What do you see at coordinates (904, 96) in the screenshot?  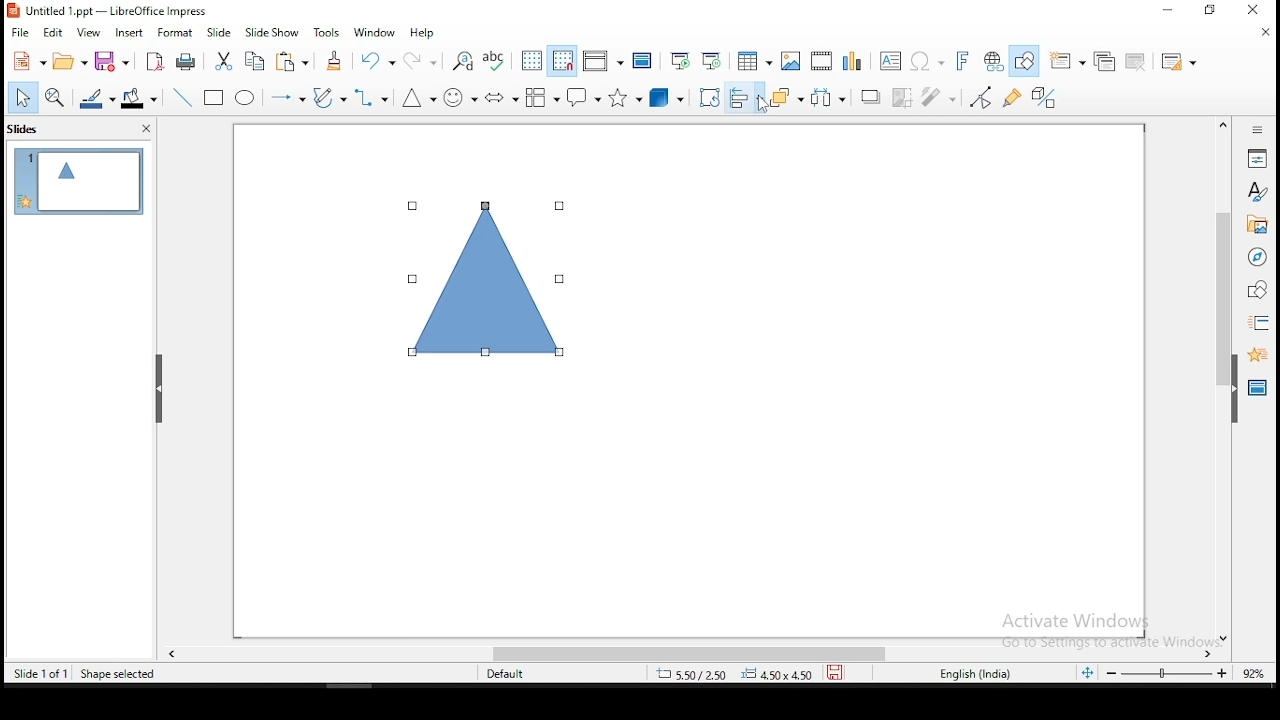 I see `crop image` at bounding box center [904, 96].